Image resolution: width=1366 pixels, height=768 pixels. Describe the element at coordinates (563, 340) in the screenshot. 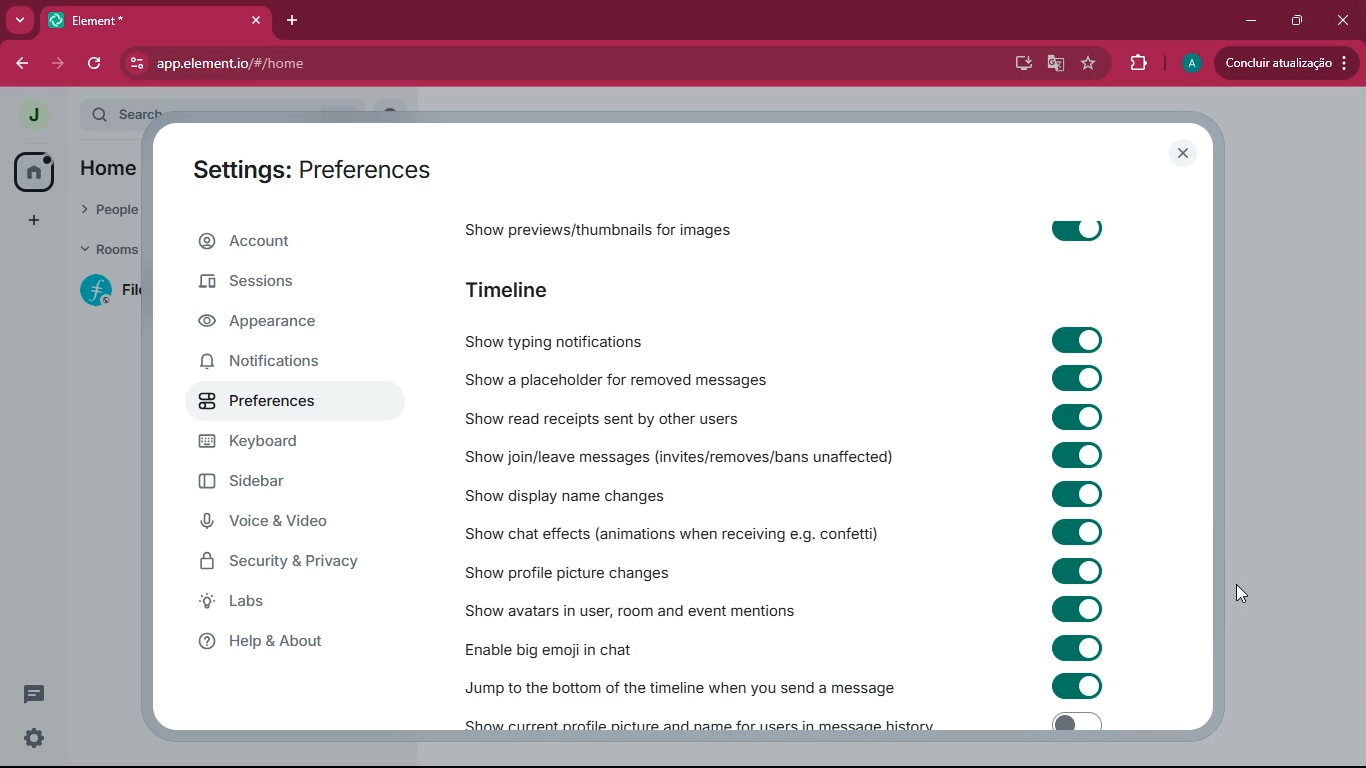

I see `show typing notifications` at that location.